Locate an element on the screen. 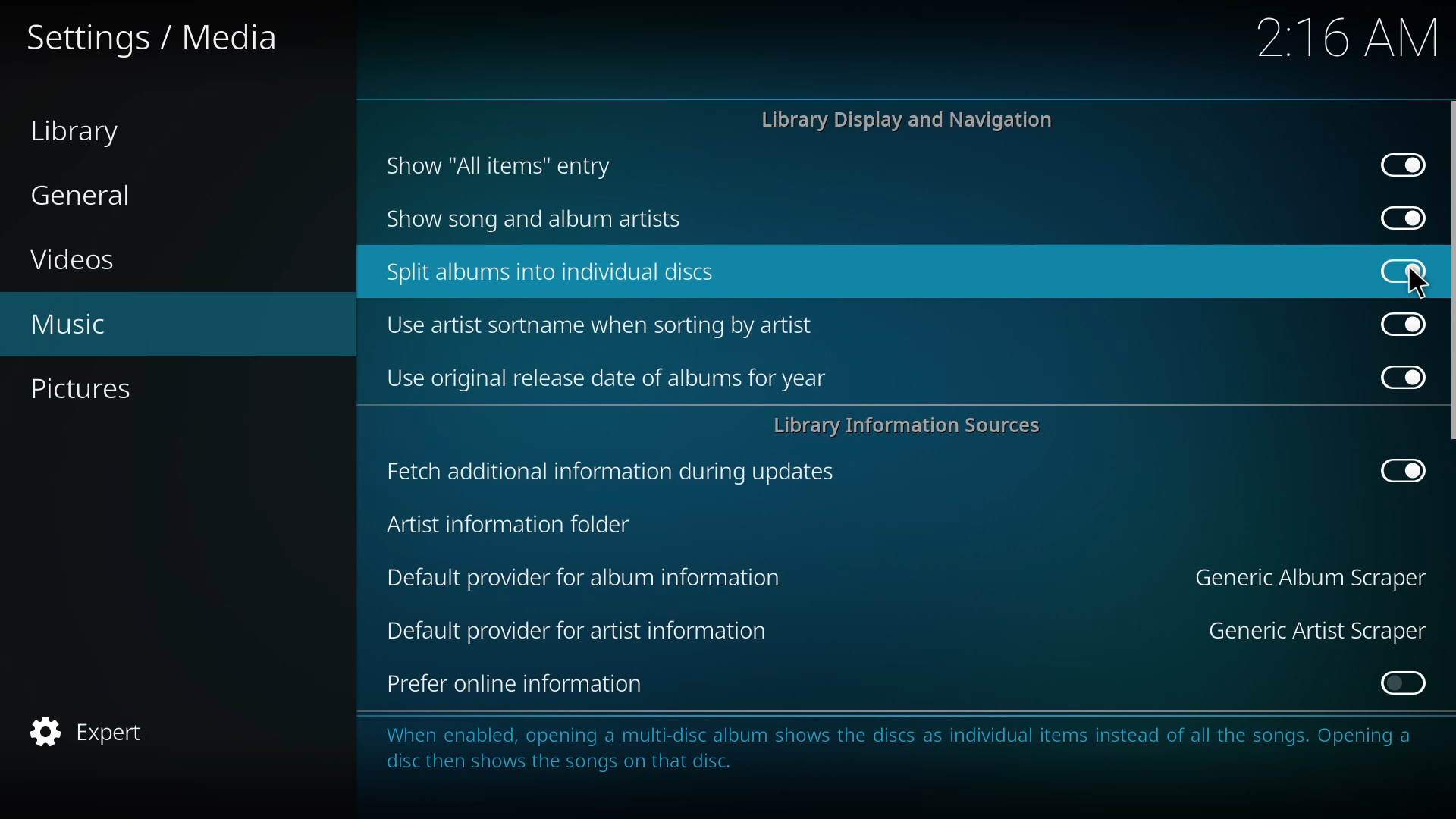  generic is located at coordinates (1307, 629).